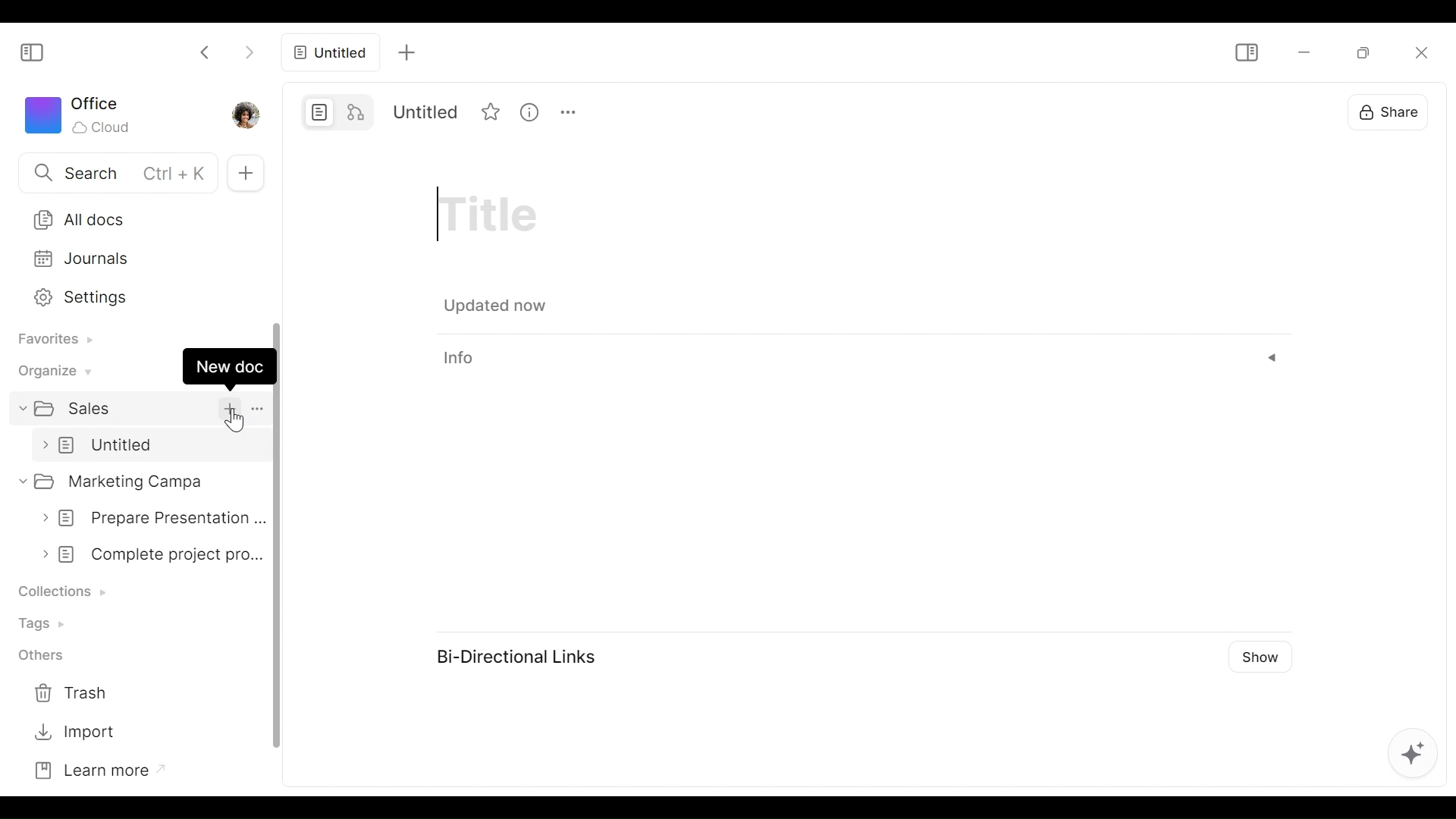 This screenshot has width=1456, height=819. Describe the element at coordinates (1302, 52) in the screenshot. I see `minimize` at that location.